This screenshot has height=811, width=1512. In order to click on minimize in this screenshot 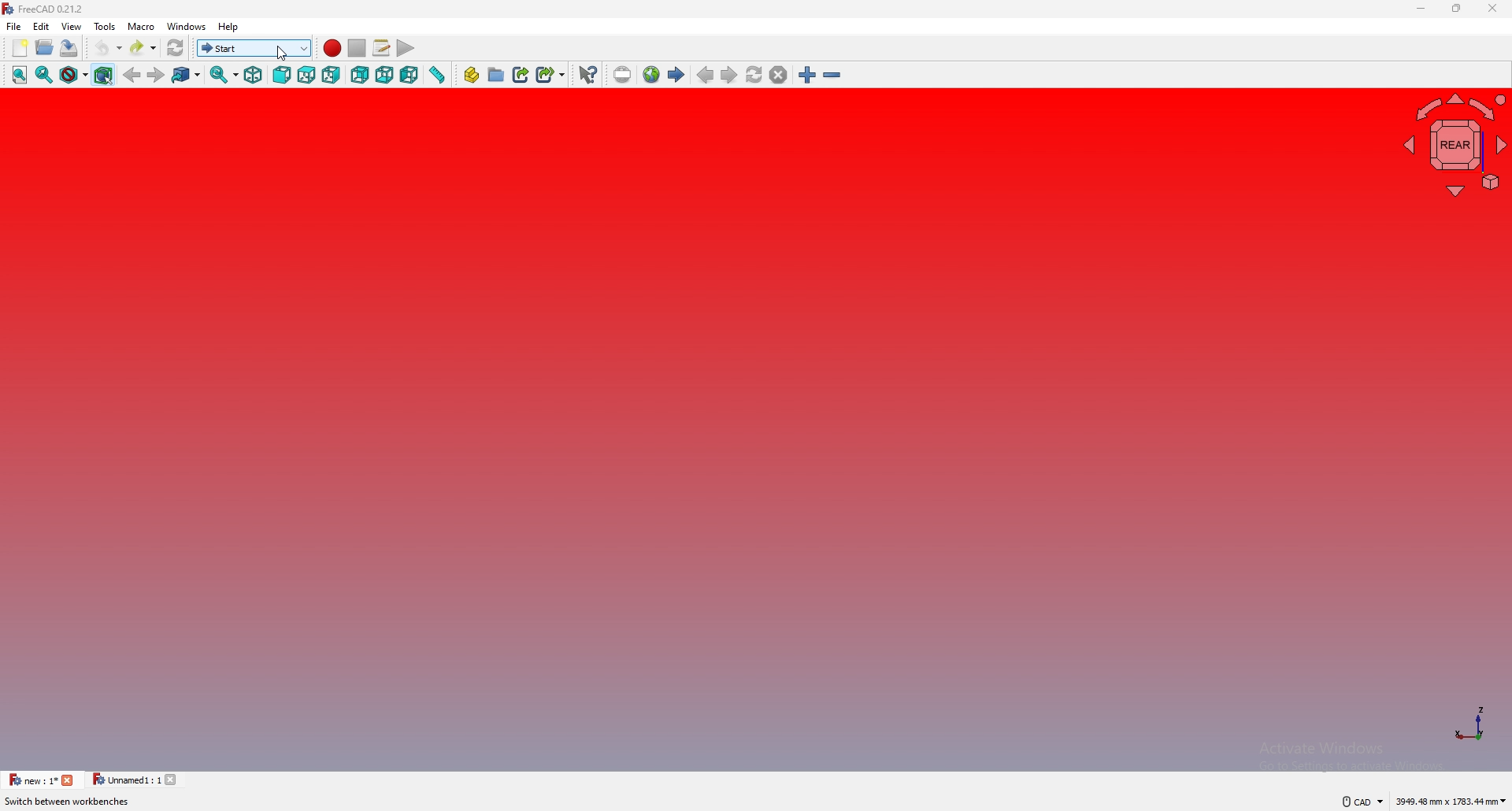, I will do `click(1421, 9)`.